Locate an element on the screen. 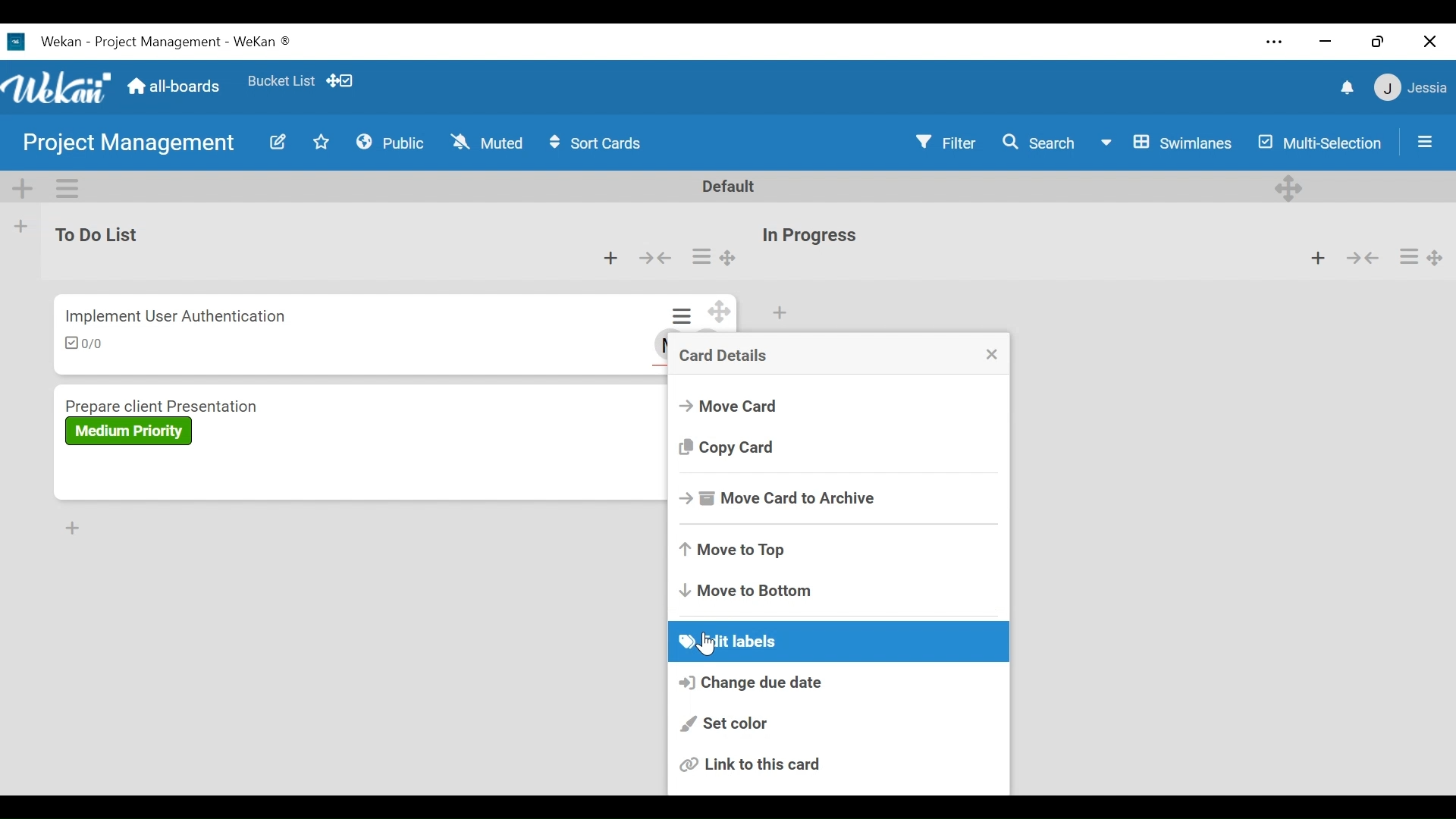 This screenshot has height=819, width=1456. Open/Close Sidebar is located at coordinates (1423, 140).